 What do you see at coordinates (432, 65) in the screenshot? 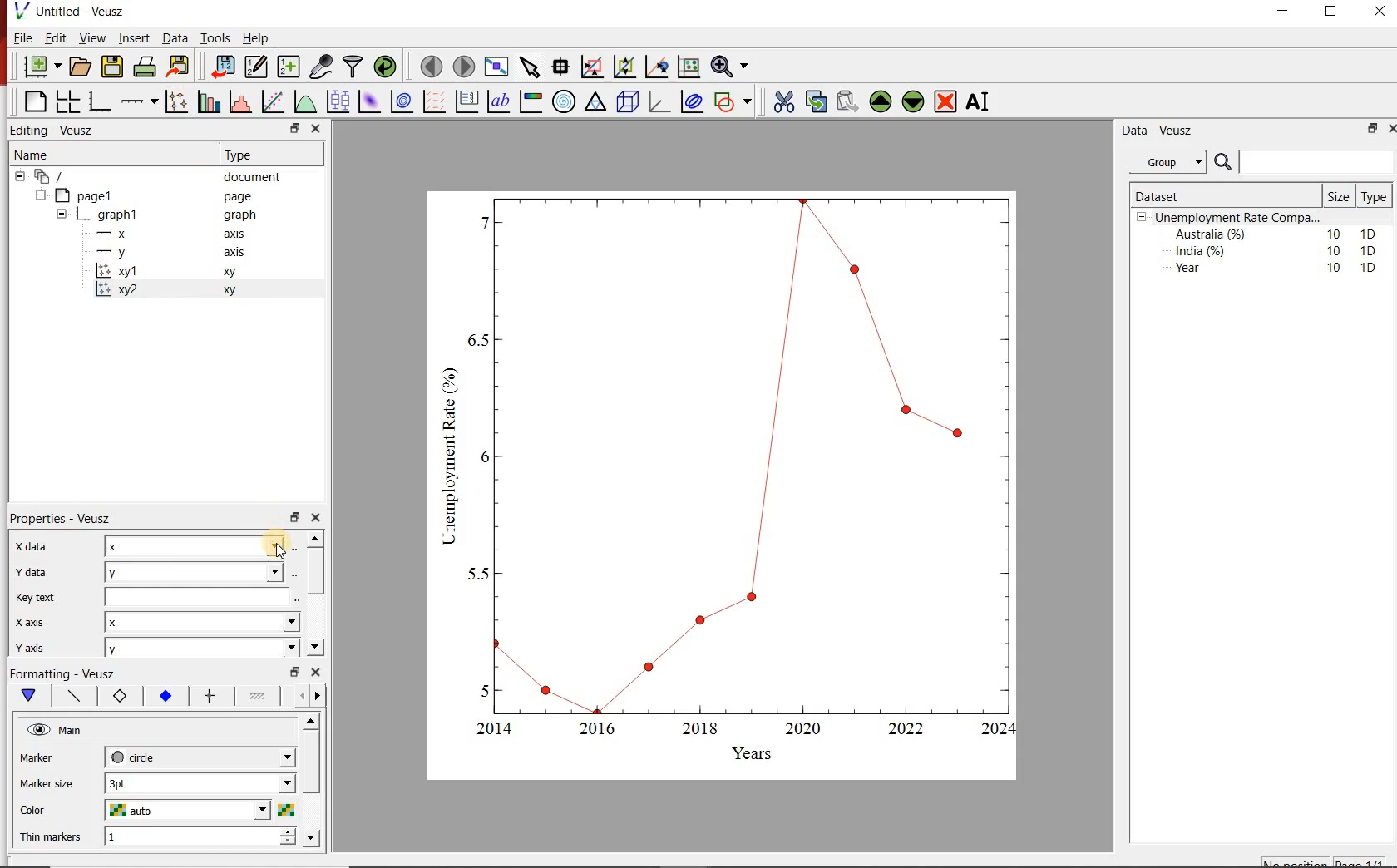
I see `move to previous page` at bounding box center [432, 65].